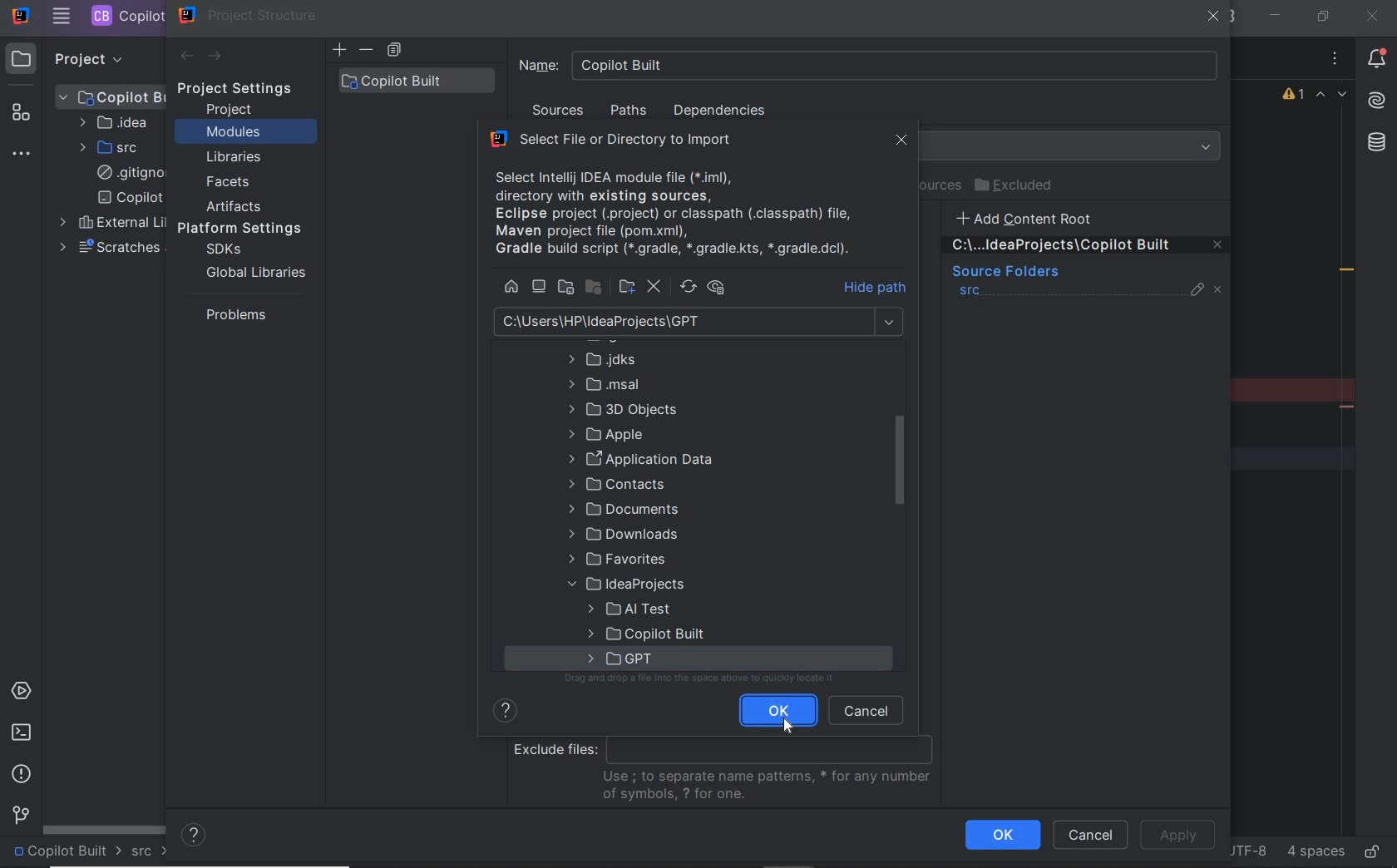 The image size is (1397, 868). Describe the element at coordinates (631, 111) in the screenshot. I see `paths` at that location.